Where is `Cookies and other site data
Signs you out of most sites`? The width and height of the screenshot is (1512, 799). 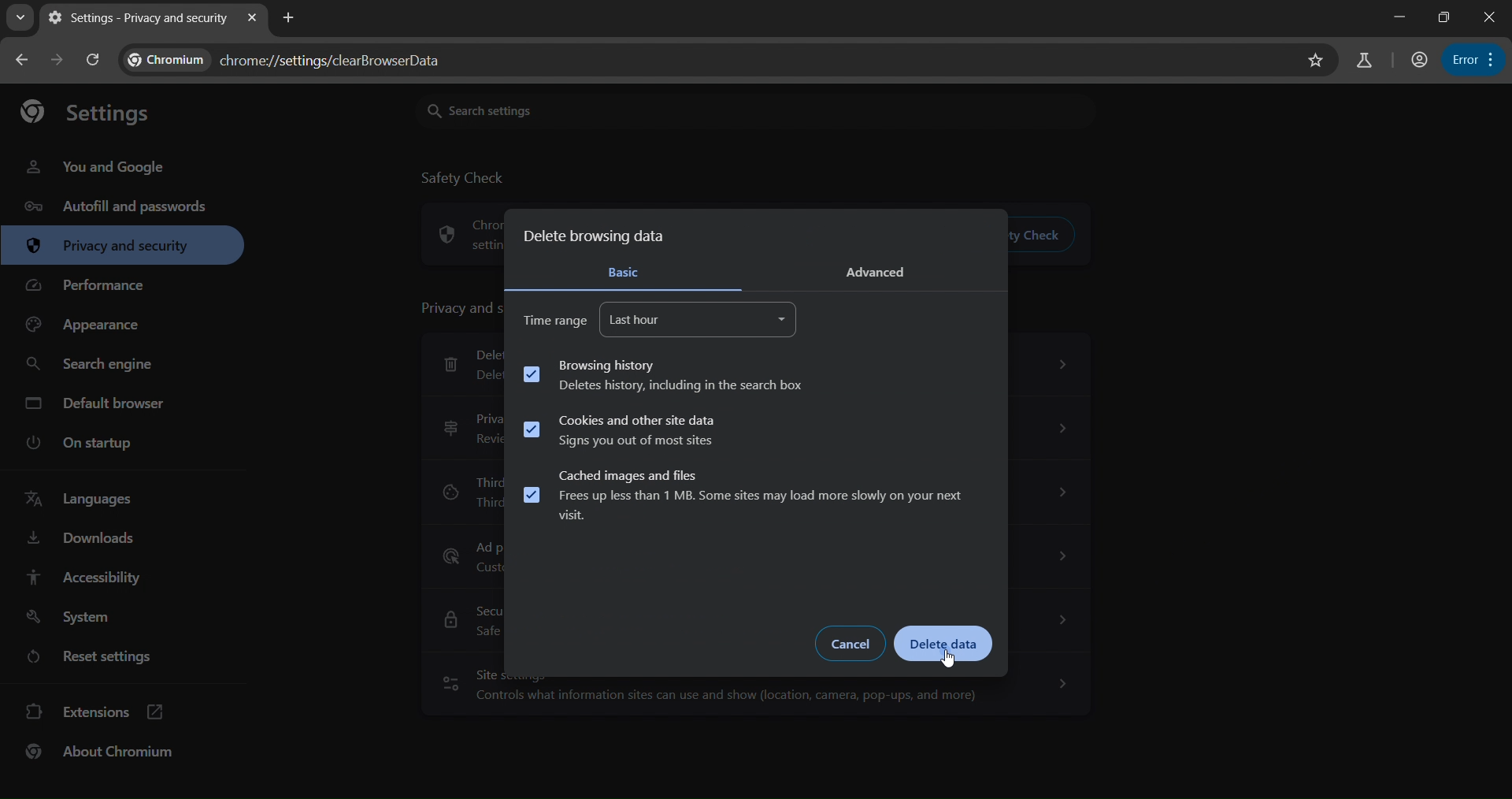
Cookies and other site data
Signs you out of most sites is located at coordinates (618, 431).